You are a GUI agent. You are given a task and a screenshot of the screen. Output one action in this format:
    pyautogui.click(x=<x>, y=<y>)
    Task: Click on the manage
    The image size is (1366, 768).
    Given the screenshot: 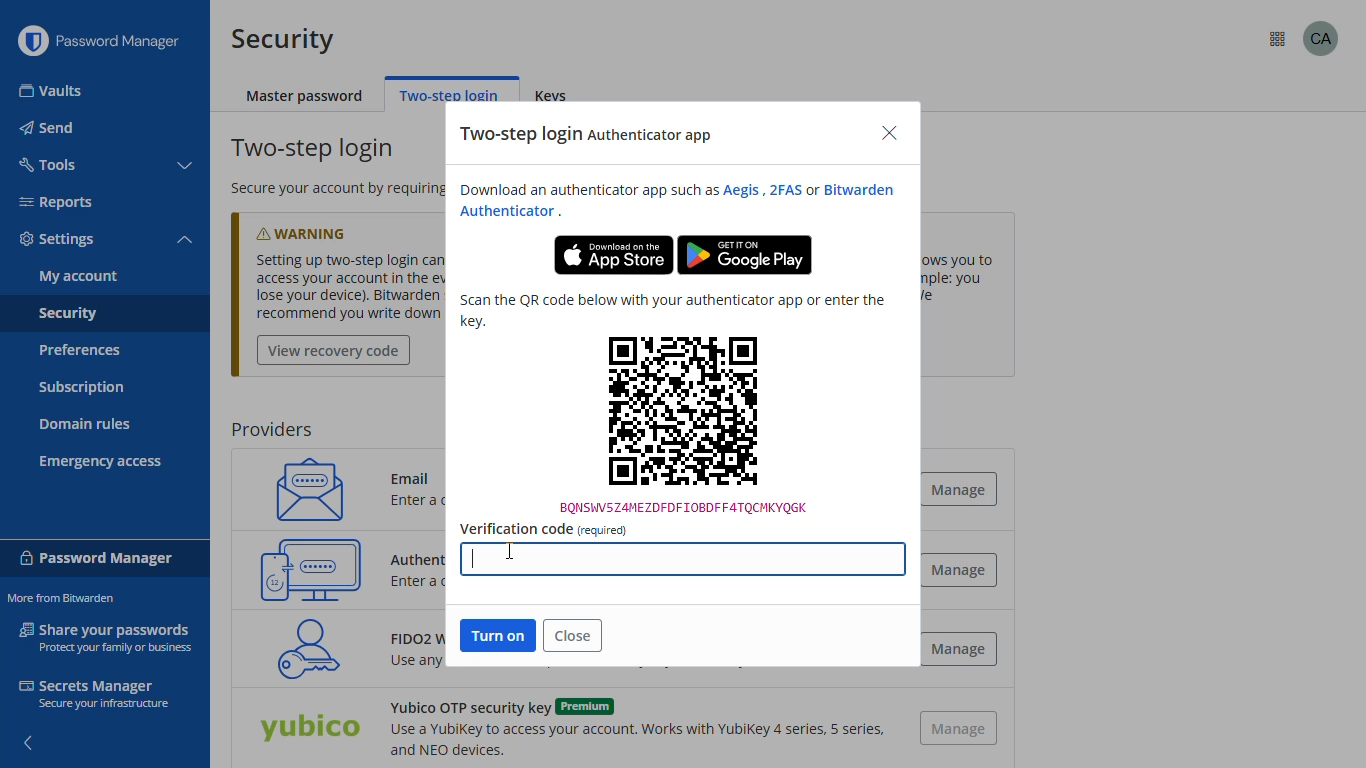 What is the action you would take?
    pyautogui.click(x=958, y=649)
    